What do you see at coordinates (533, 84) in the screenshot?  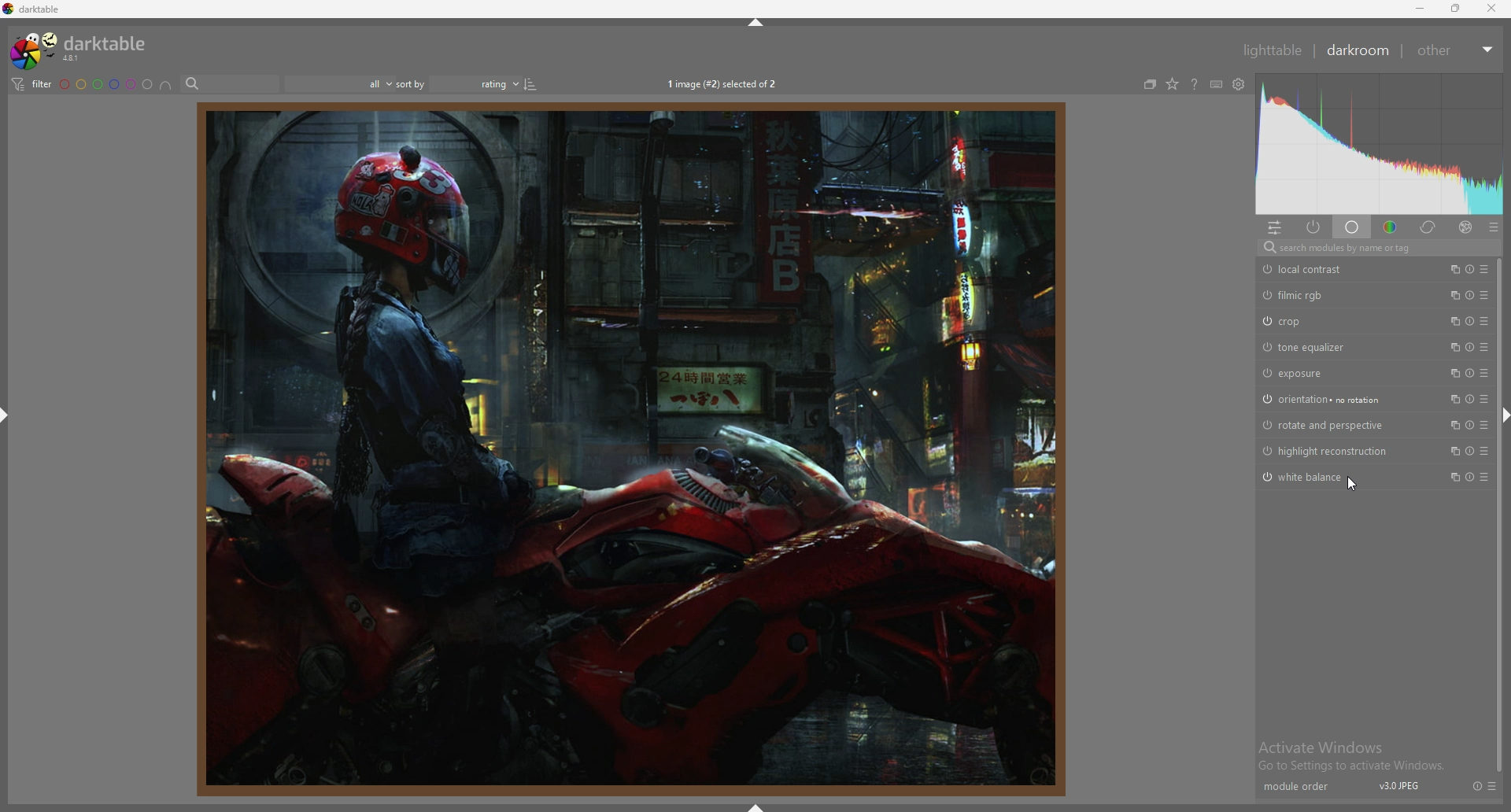 I see `reverse sort order` at bounding box center [533, 84].